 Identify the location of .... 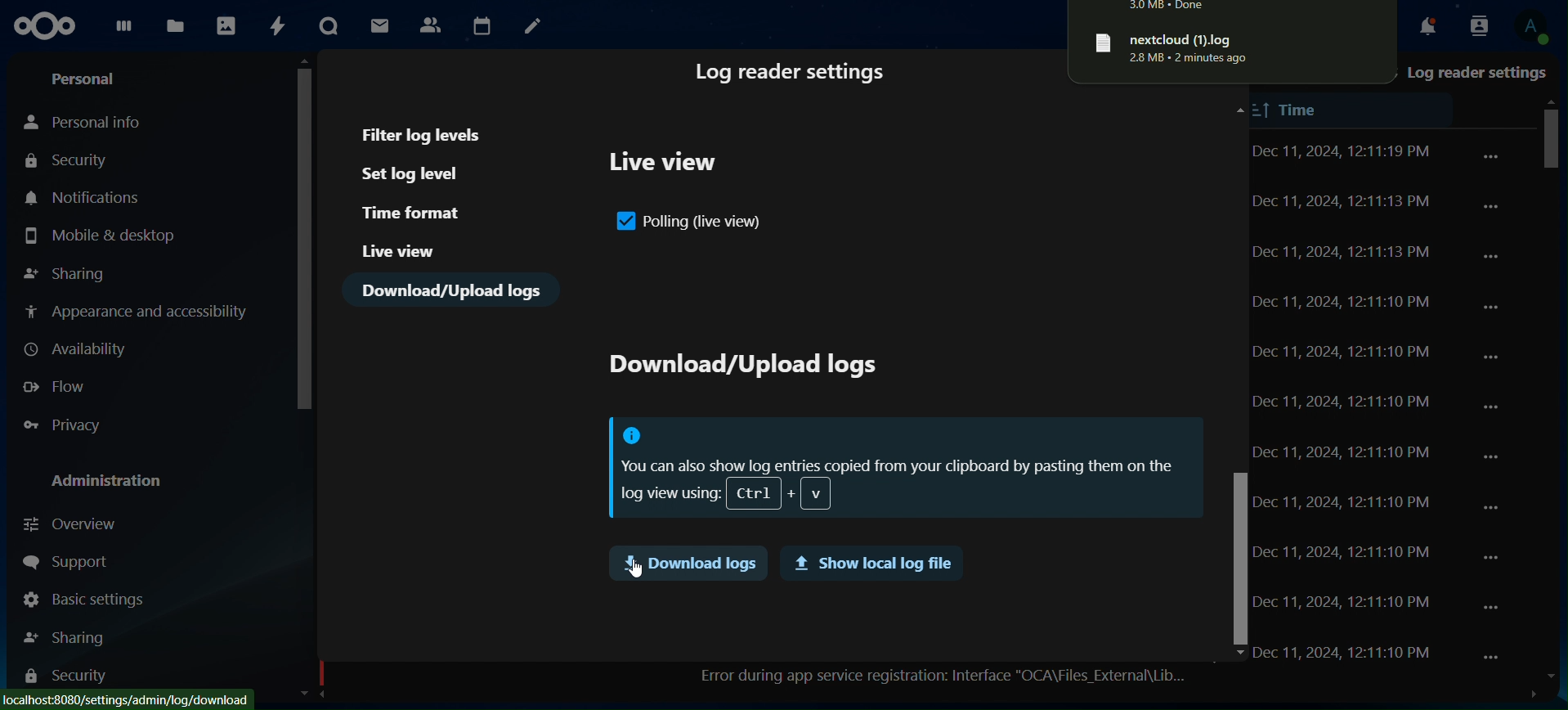
(1494, 359).